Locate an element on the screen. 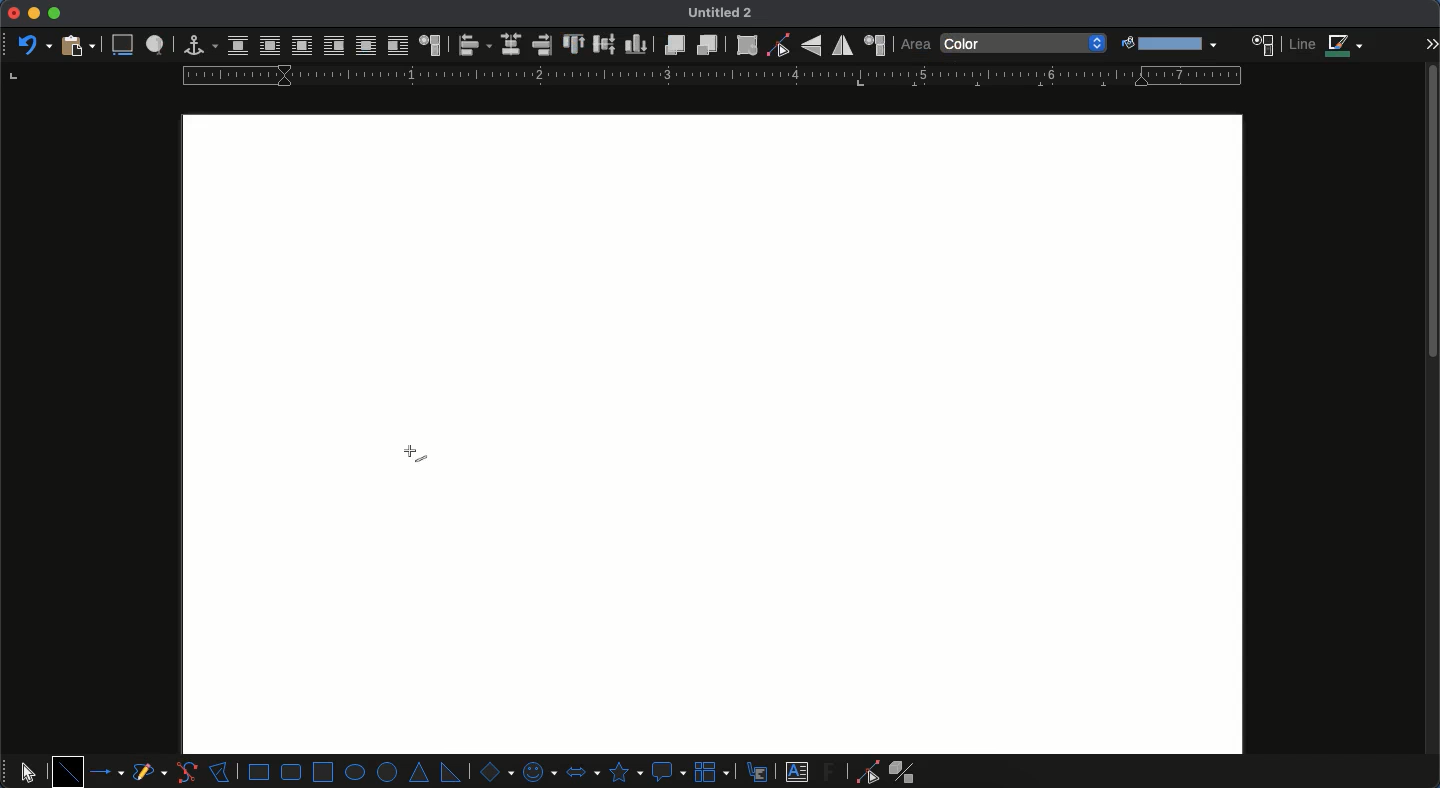  right is located at coordinates (542, 45).